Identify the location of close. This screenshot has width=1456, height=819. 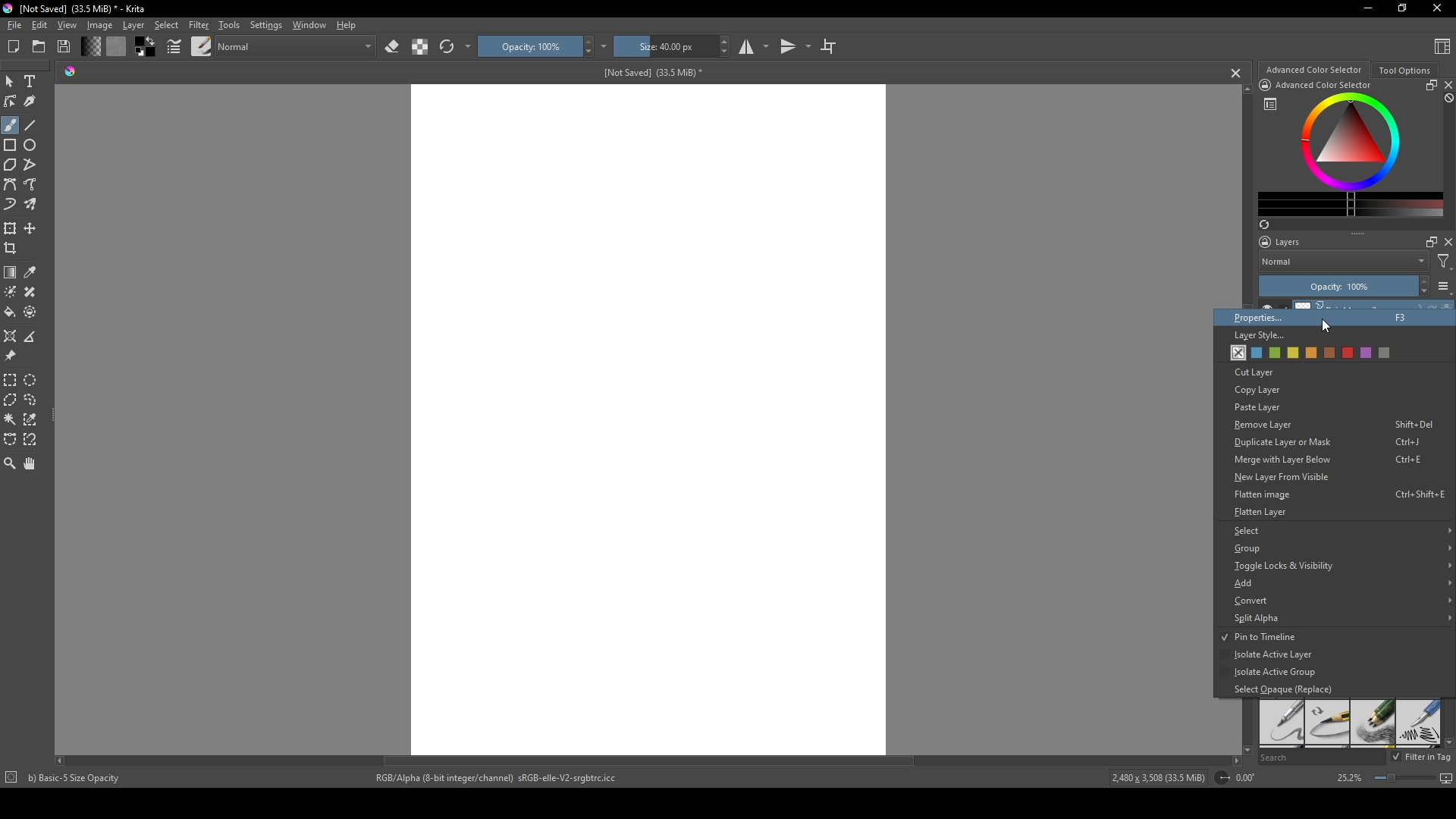
(1447, 242).